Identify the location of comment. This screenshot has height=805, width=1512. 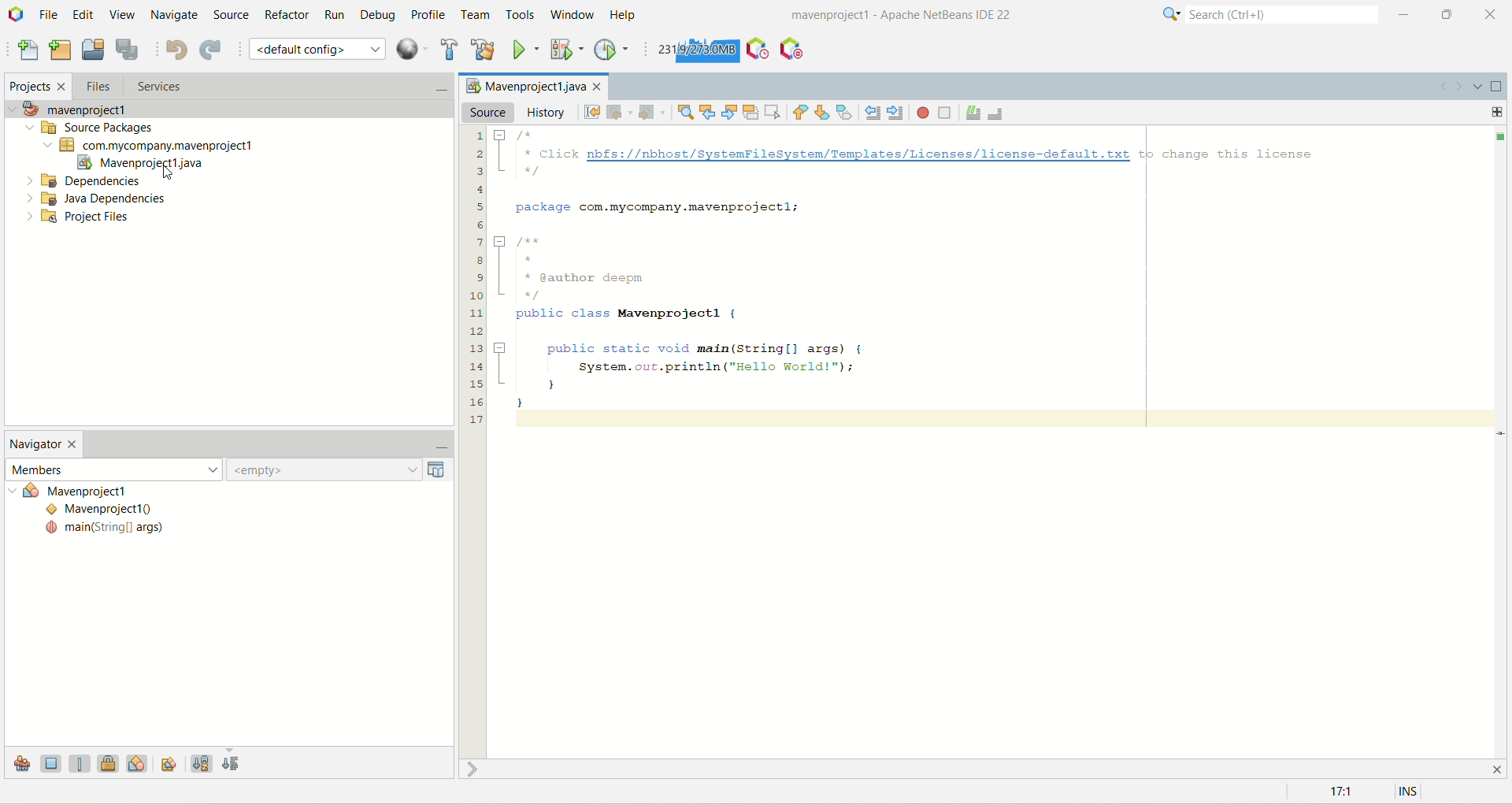
(973, 113).